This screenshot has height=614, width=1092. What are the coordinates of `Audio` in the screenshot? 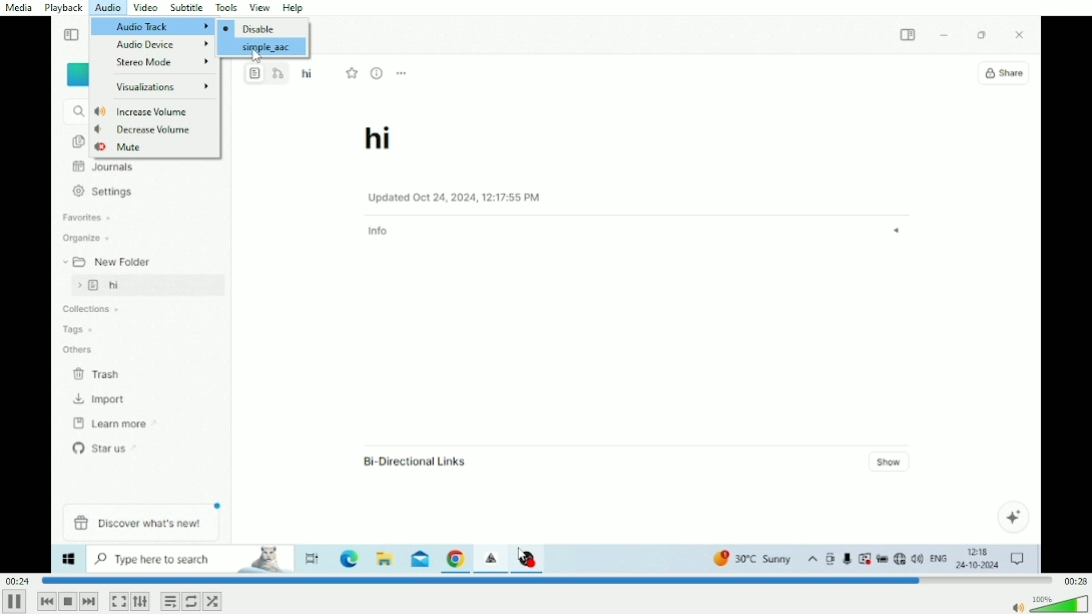 It's located at (108, 8).